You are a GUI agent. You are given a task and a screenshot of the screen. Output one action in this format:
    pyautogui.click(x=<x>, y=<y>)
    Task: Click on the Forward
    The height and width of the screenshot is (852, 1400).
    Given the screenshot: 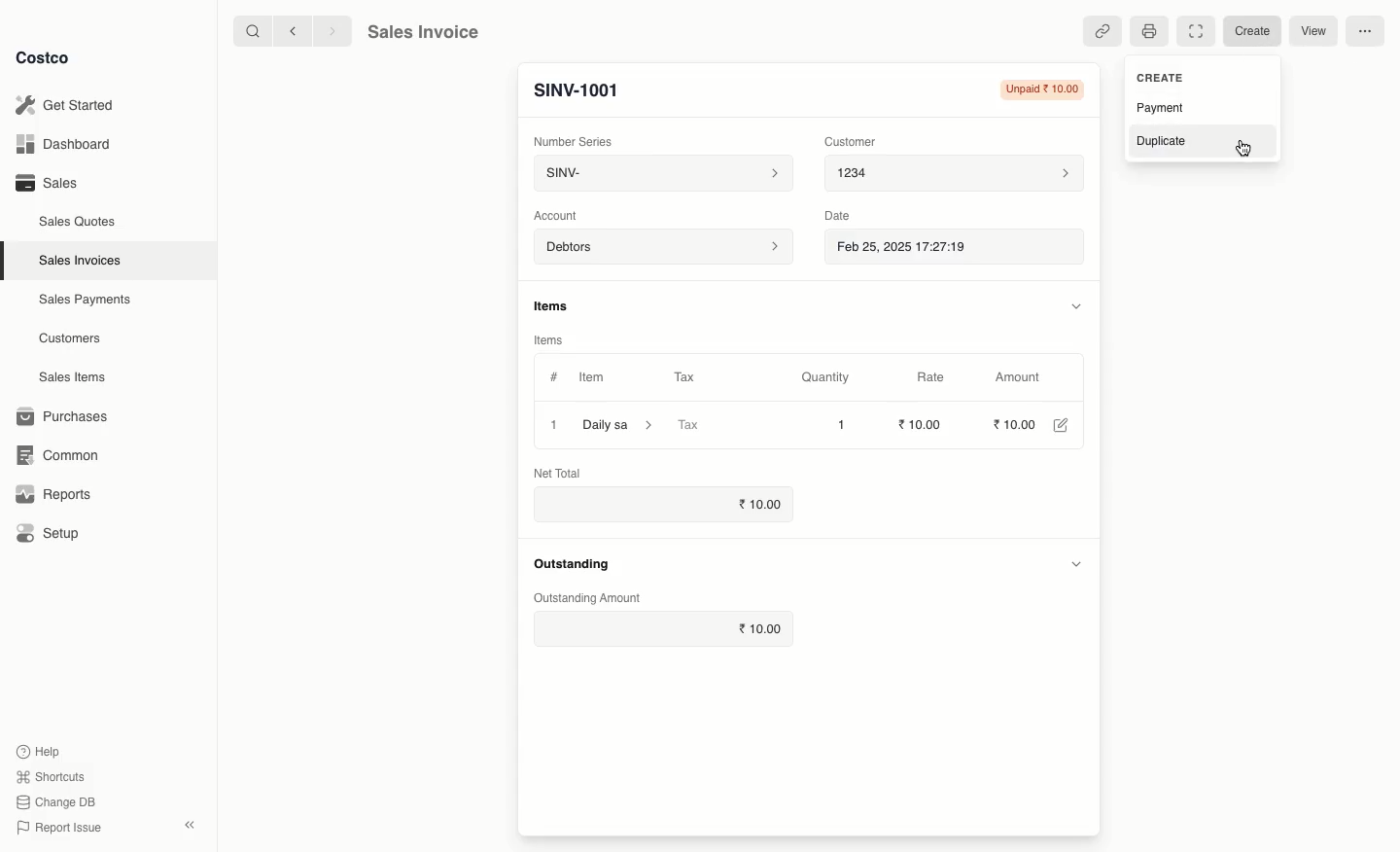 What is the action you would take?
    pyautogui.click(x=332, y=32)
    